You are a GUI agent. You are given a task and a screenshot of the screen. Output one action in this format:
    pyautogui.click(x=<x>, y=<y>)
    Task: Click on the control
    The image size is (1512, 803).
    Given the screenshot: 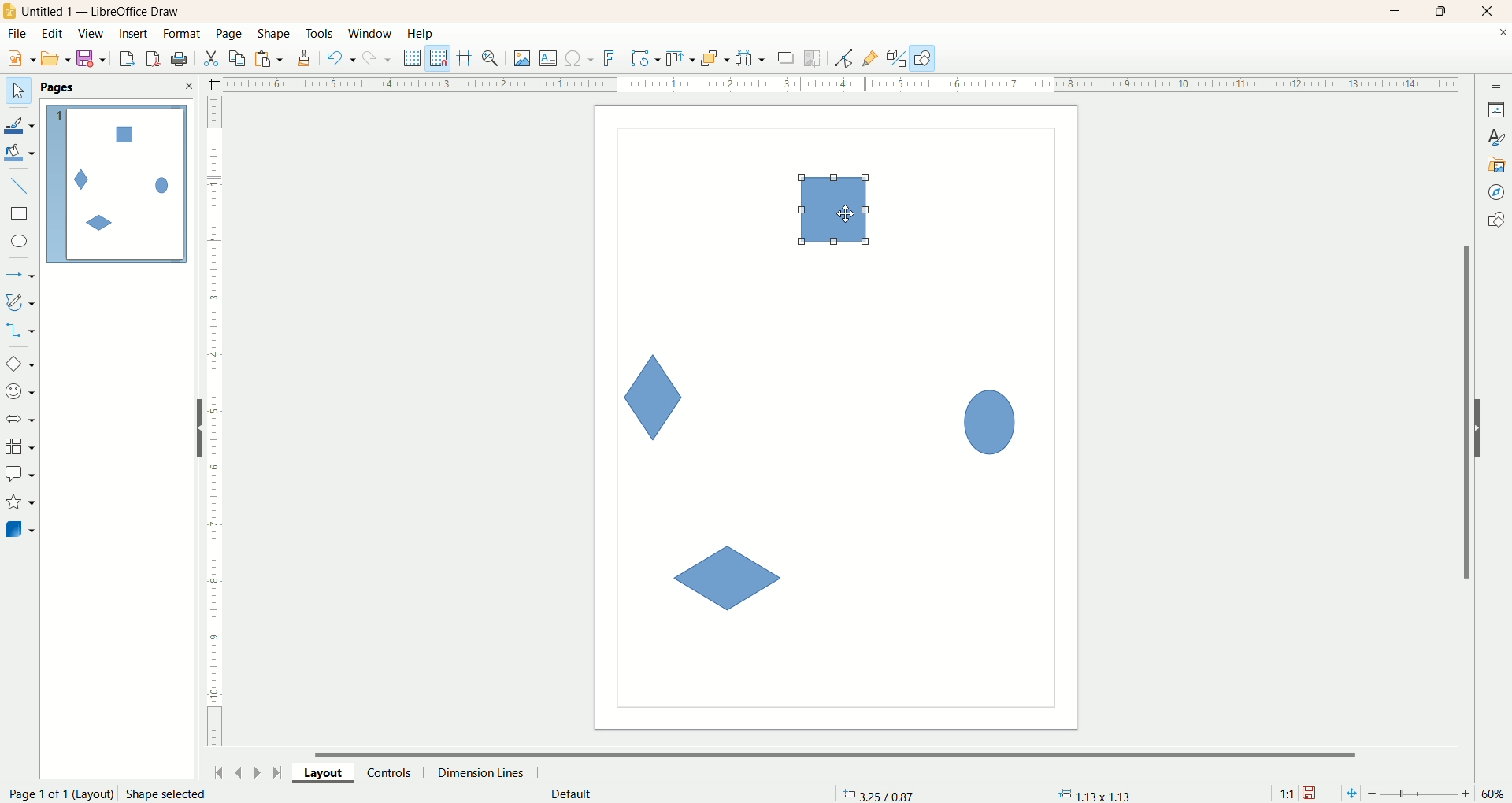 What is the action you would take?
    pyautogui.click(x=396, y=772)
    